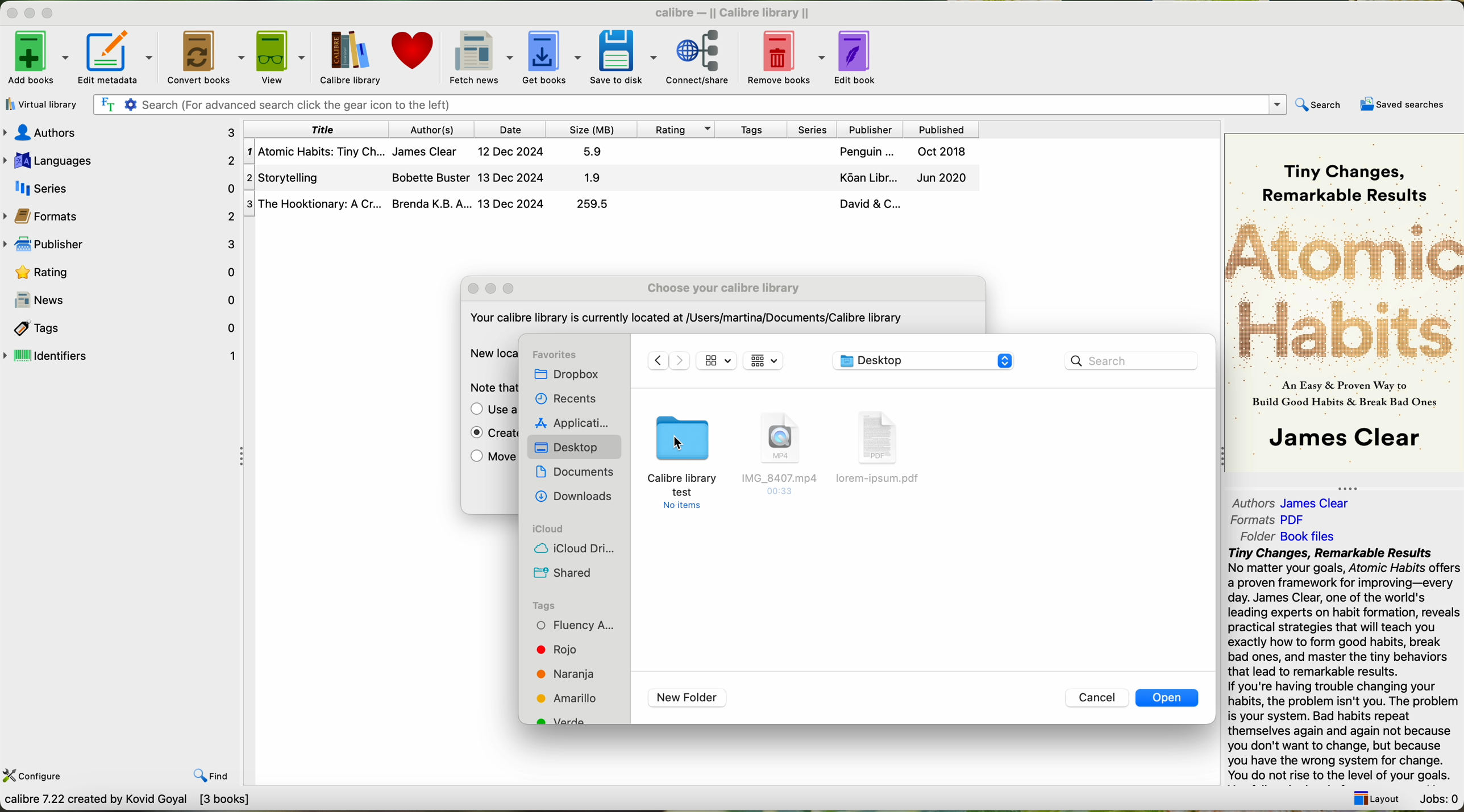 The height and width of the screenshot is (812, 1464). Describe the element at coordinates (735, 12) in the screenshot. I see `calibre — || Calibre library ||` at that location.